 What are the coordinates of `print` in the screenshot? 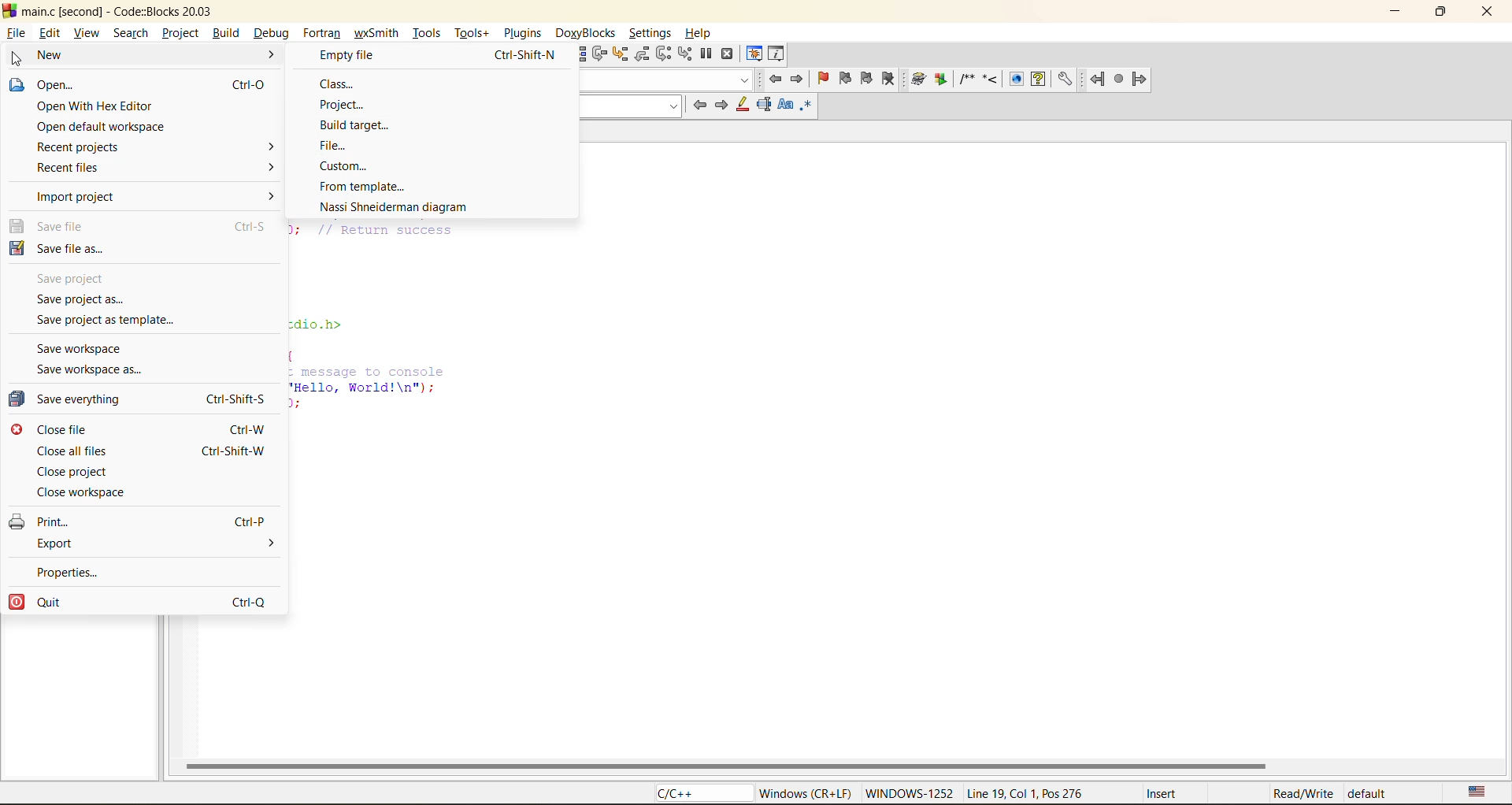 It's located at (44, 521).